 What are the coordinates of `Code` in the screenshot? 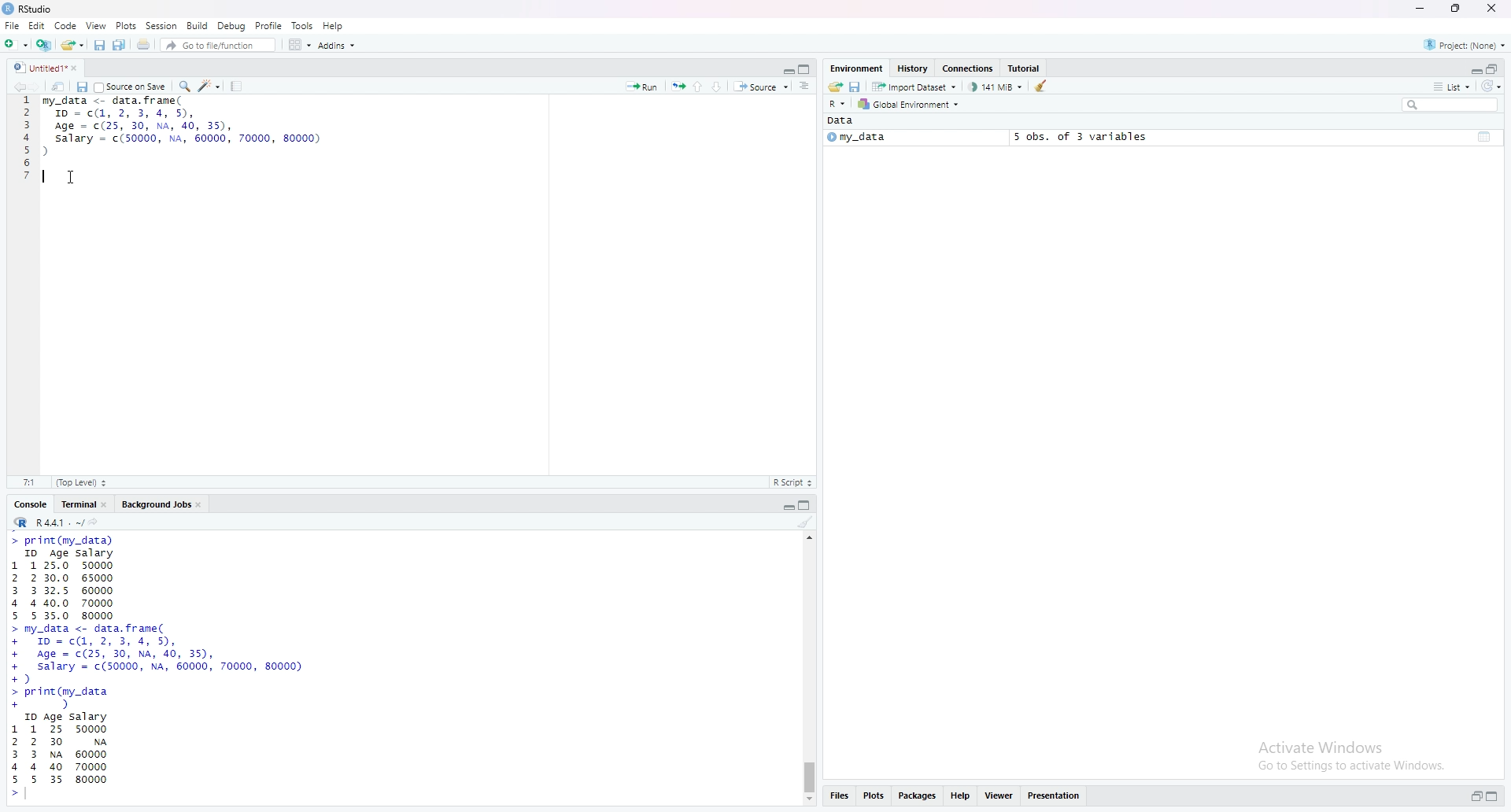 It's located at (67, 26).